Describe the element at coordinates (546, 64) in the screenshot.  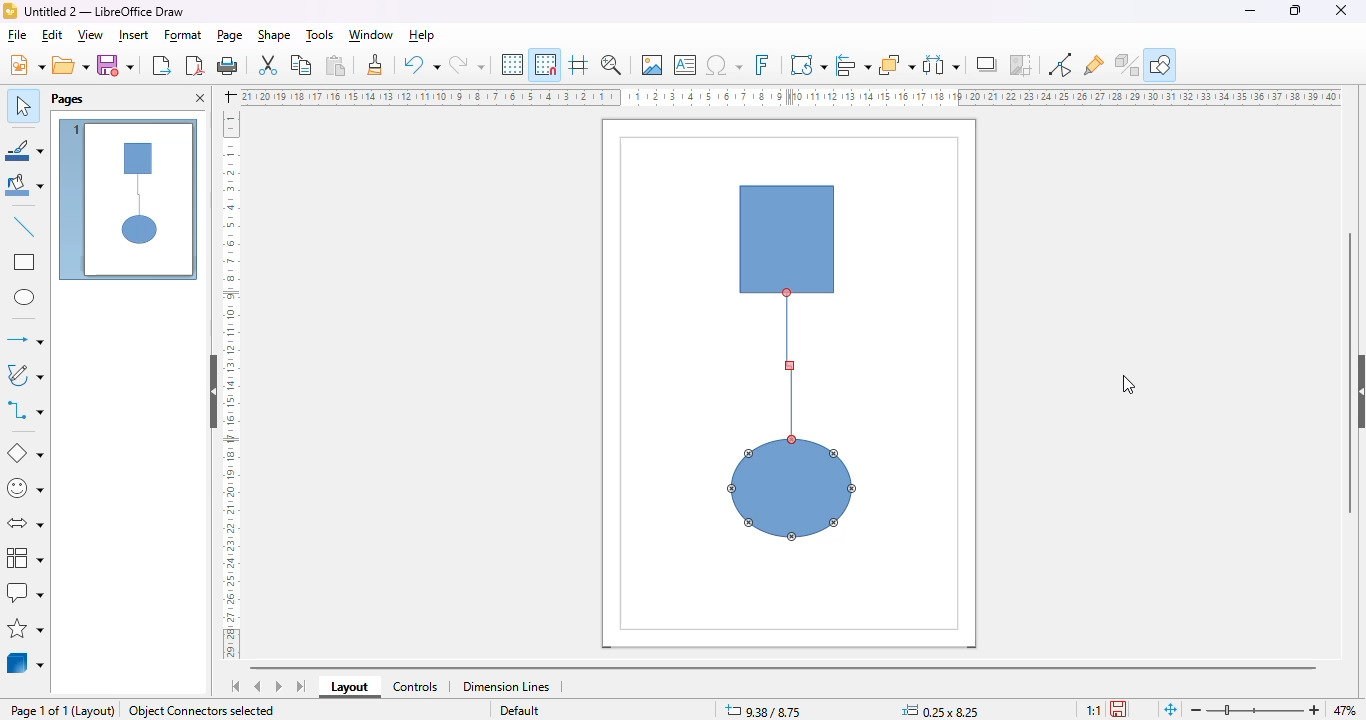
I see `snap to grid` at that location.